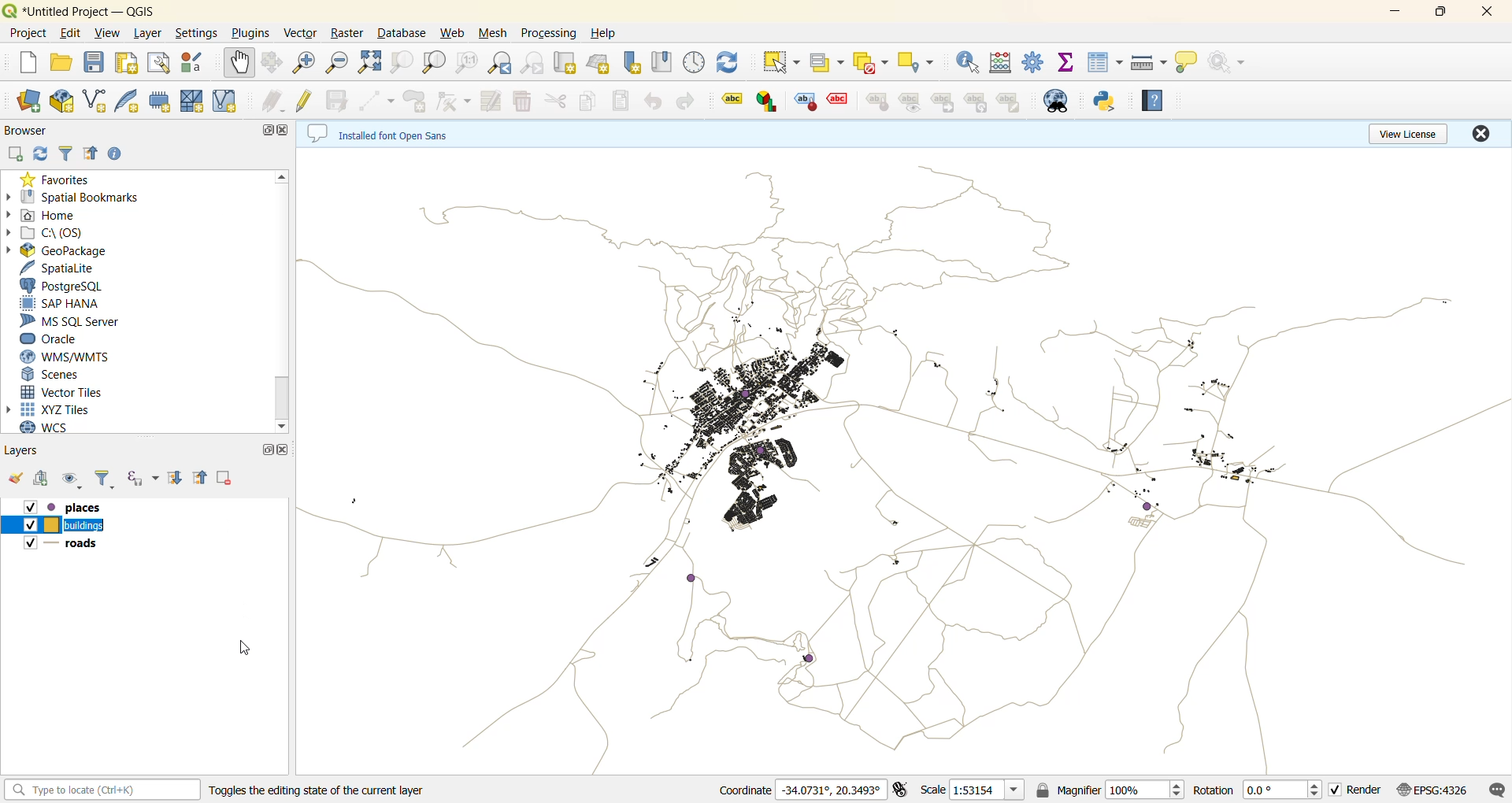  Describe the element at coordinates (1058, 102) in the screenshot. I see `metasearch` at that location.